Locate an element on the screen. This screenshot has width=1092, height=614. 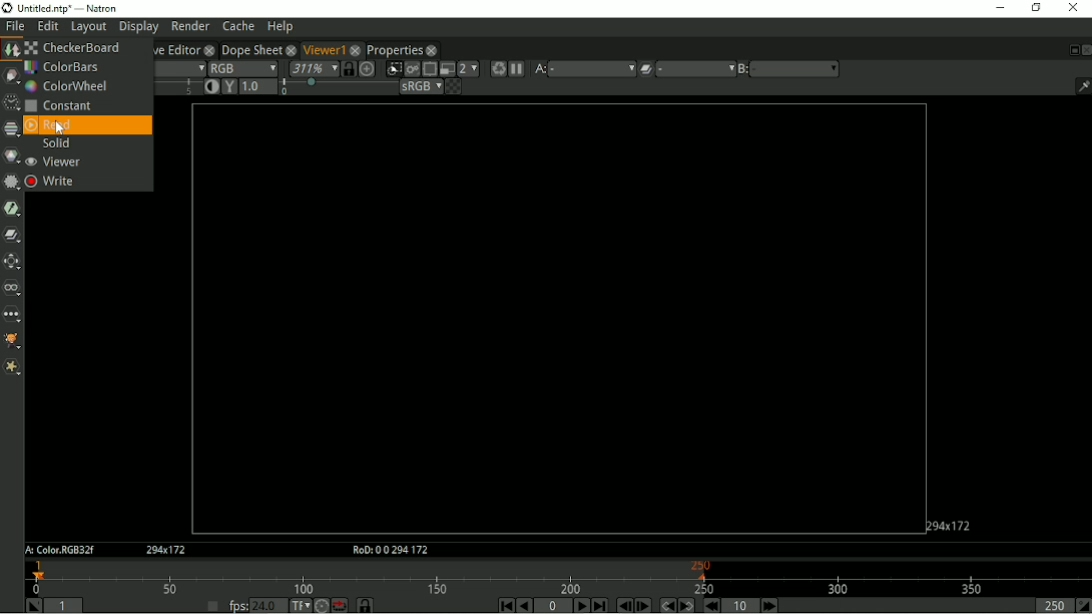
close is located at coordinates (209, 49).